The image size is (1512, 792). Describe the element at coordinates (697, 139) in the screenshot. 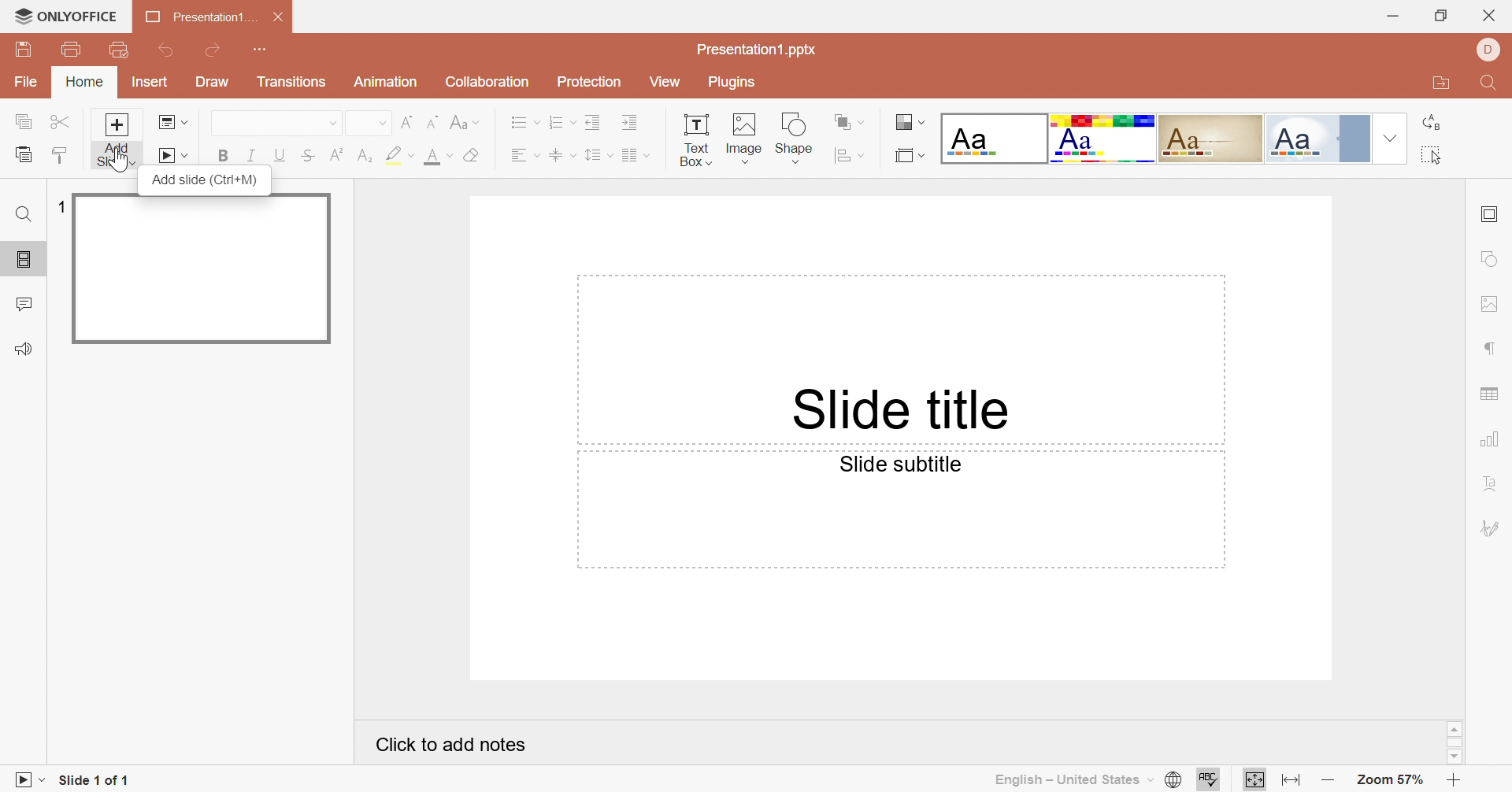

I see `Text Box` at that location.